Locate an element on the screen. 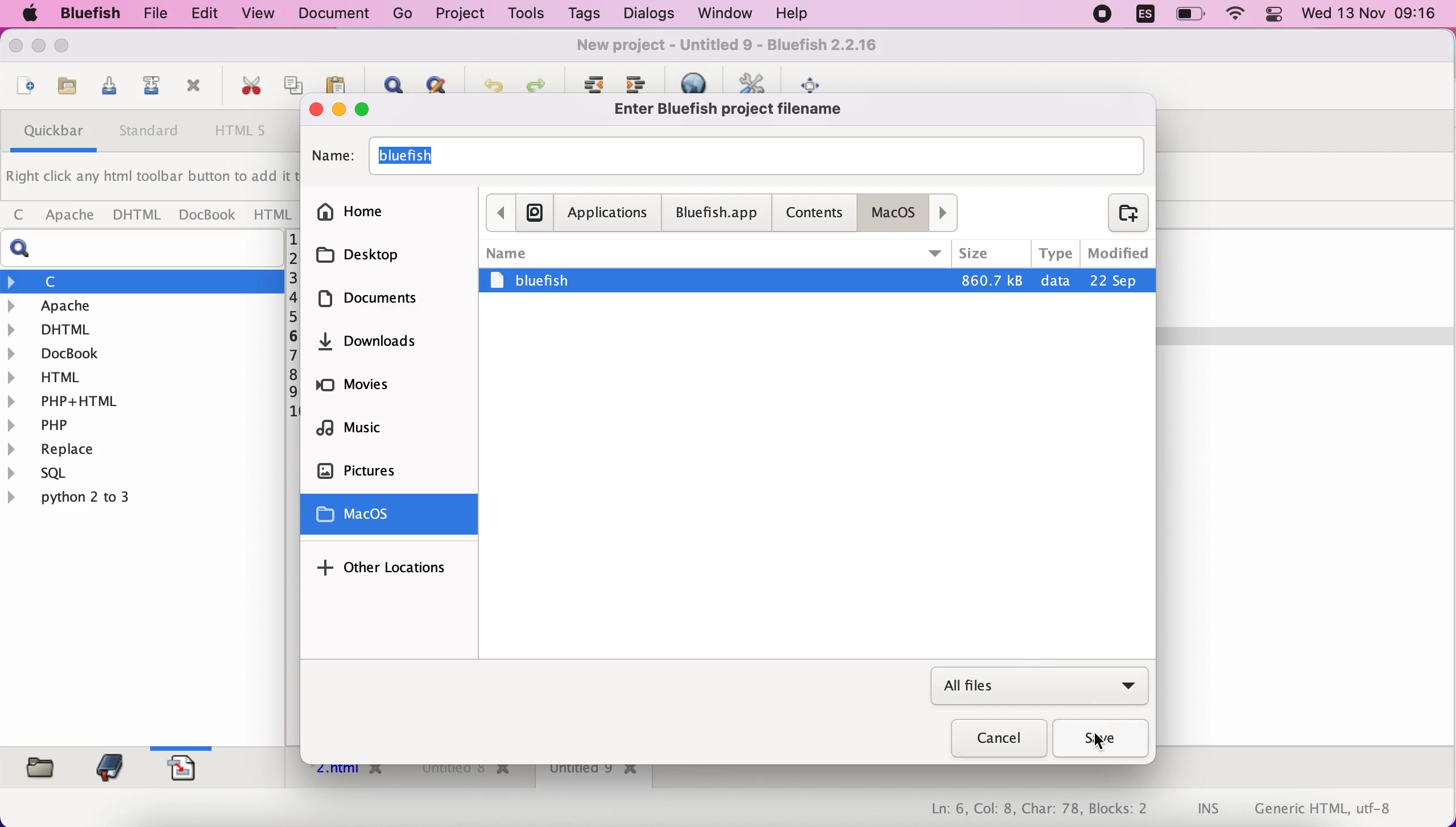  close is located at coordinates (314, 108).